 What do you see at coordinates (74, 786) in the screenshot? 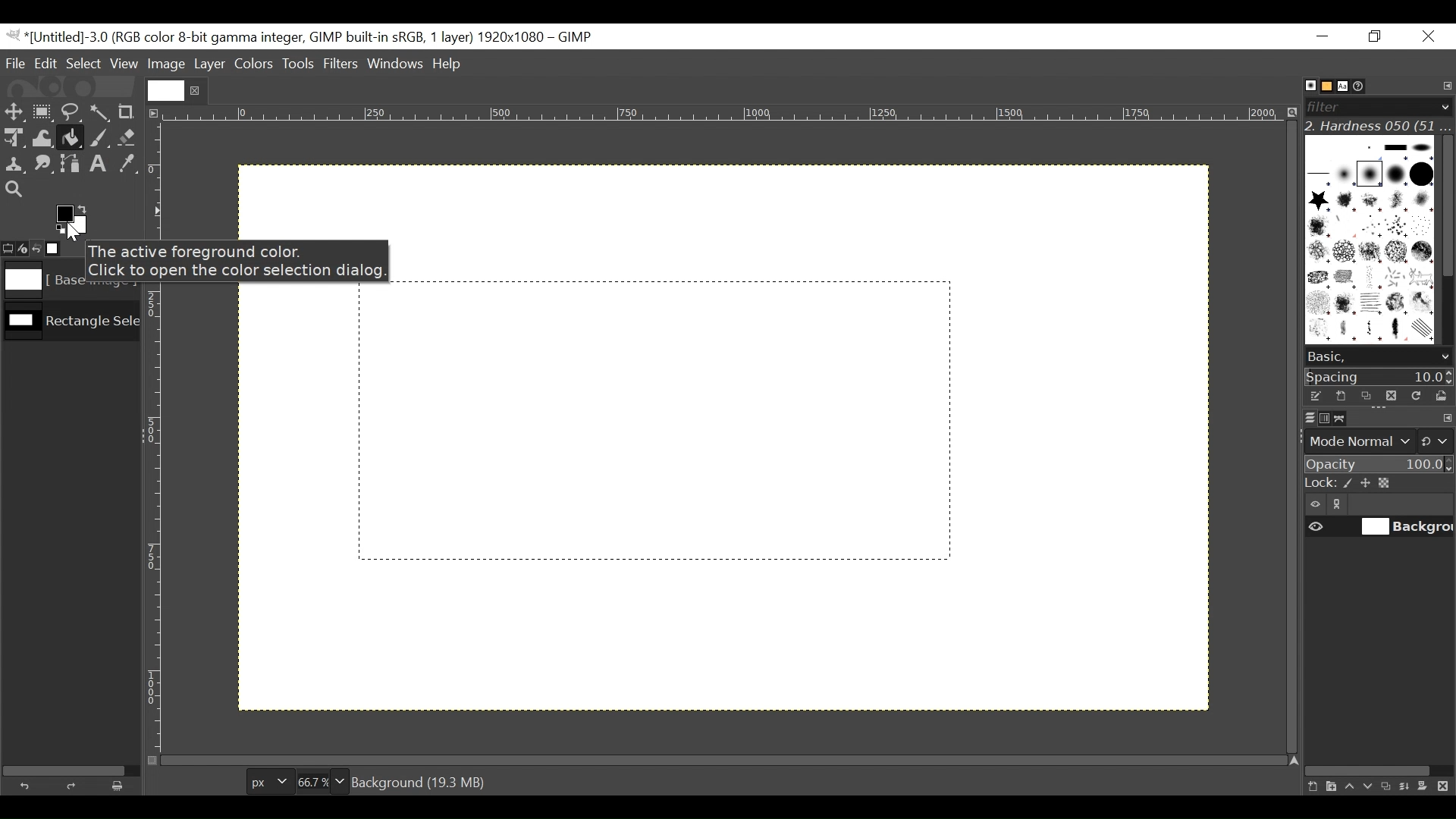
I see `Redo` at bounding box center [74, 786].